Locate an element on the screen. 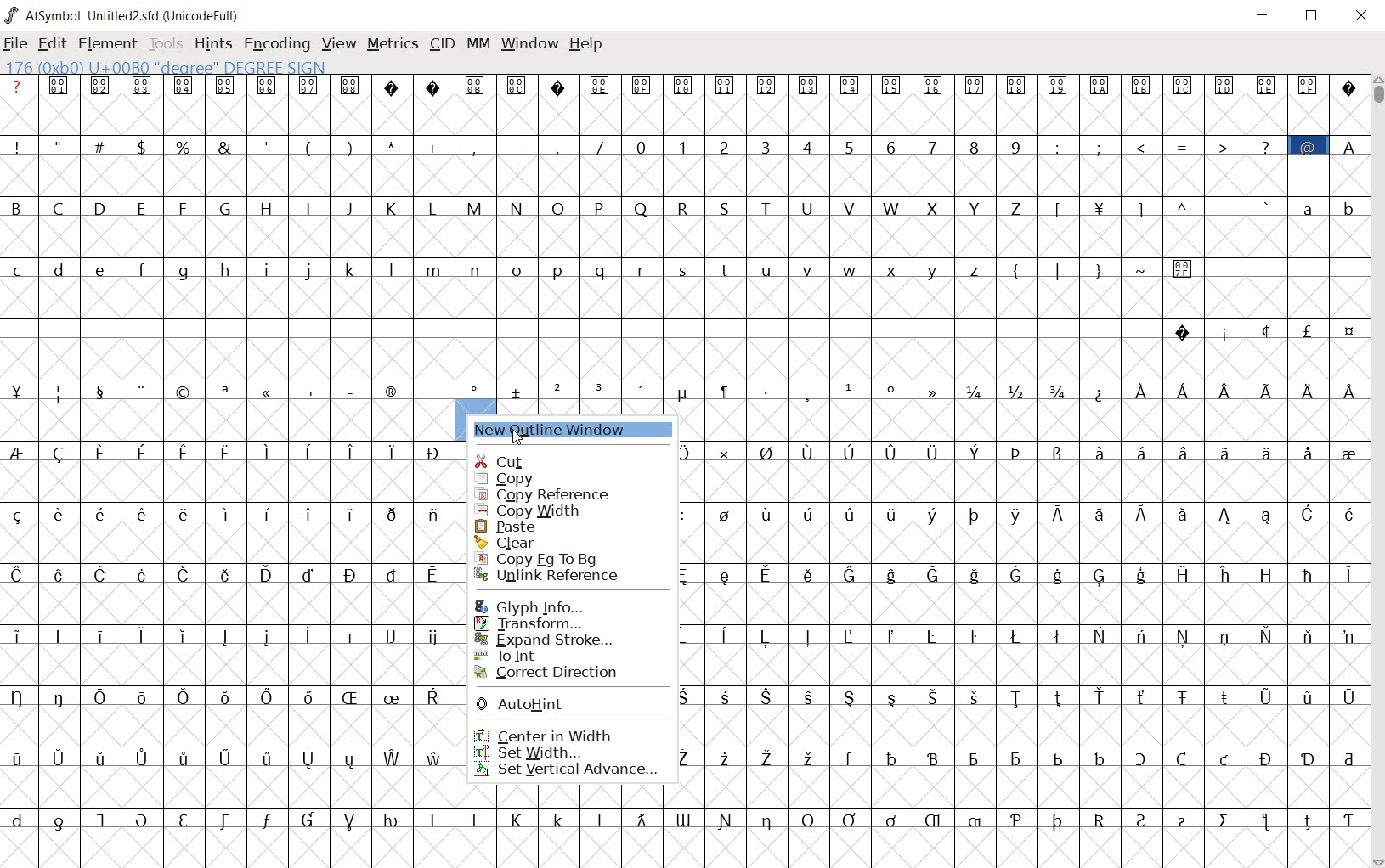 Image resolution: width=1385 pixels, height=868 pixels. empty glyph slots is located at coordinates (1348, 176).